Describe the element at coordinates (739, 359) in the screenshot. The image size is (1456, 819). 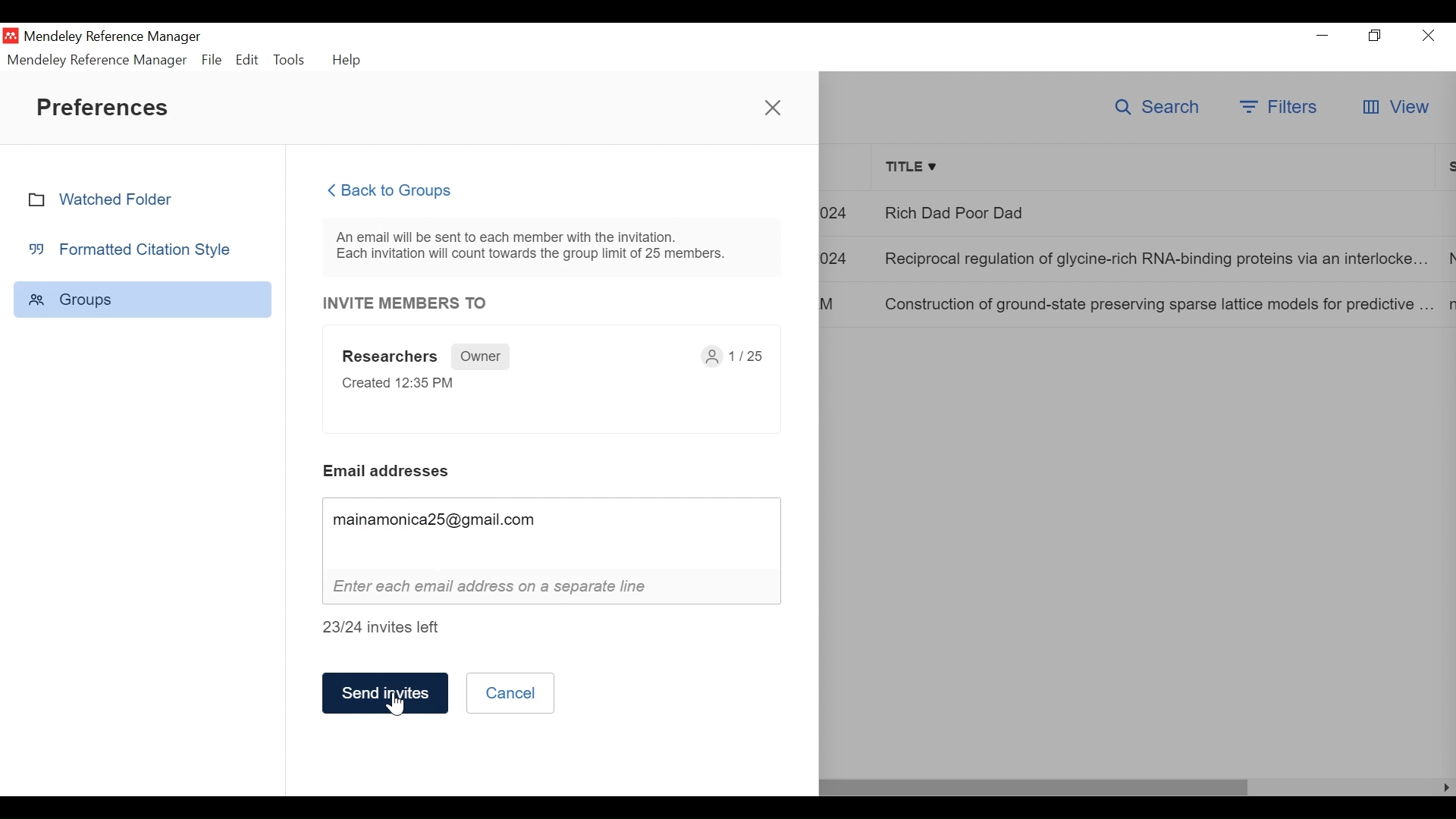
I see `1/25` at that location.